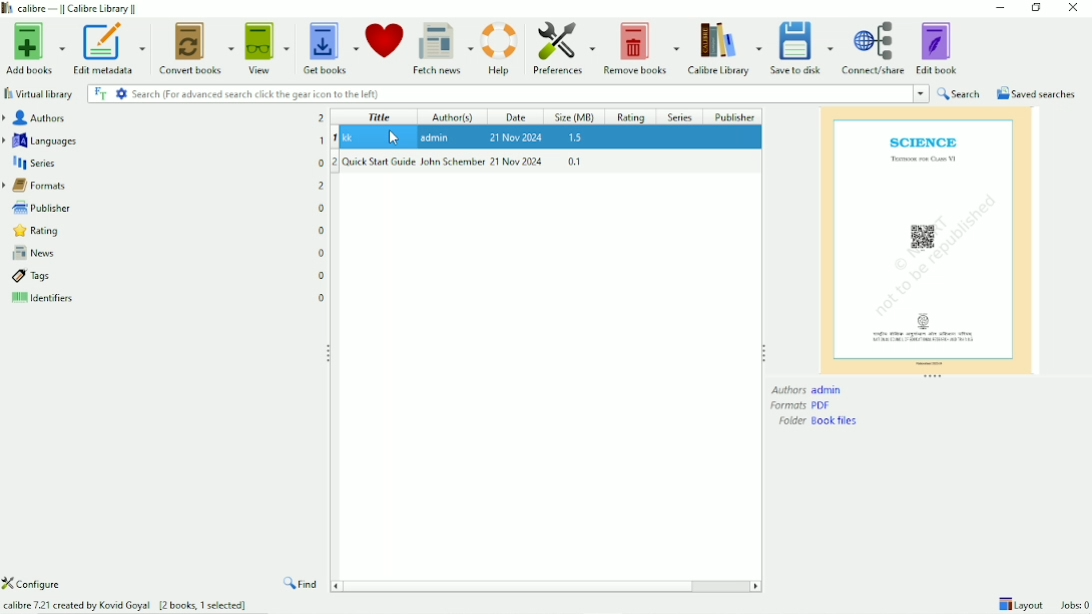 Image resolution: width=1092 pixels, height=614 pixels. What do you see at coordinates (42, 140) in the screenshot?
I see `Languages` at bounding box center [42, 140].